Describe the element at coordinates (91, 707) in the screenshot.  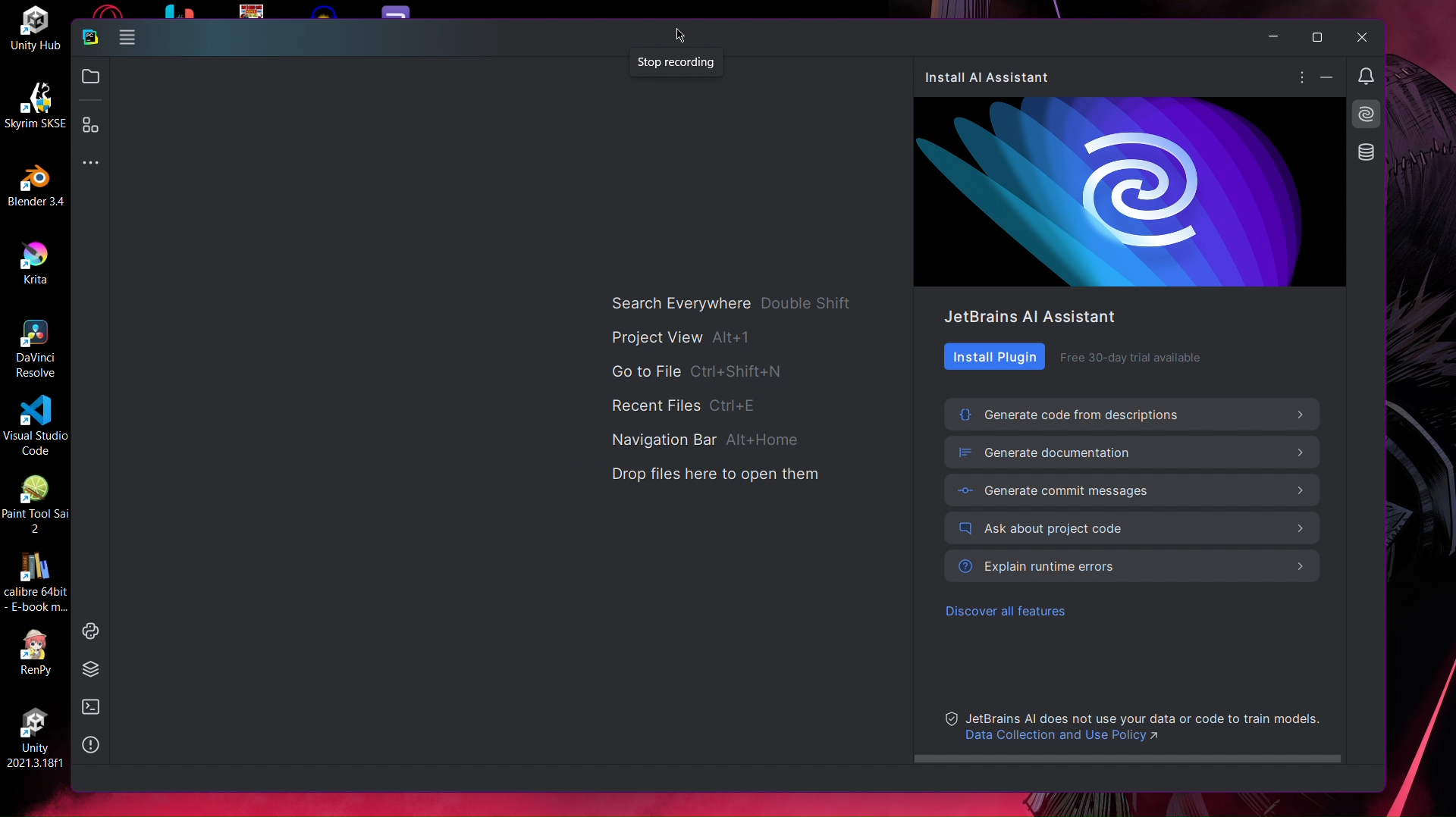
I see `Terminal` at that location.